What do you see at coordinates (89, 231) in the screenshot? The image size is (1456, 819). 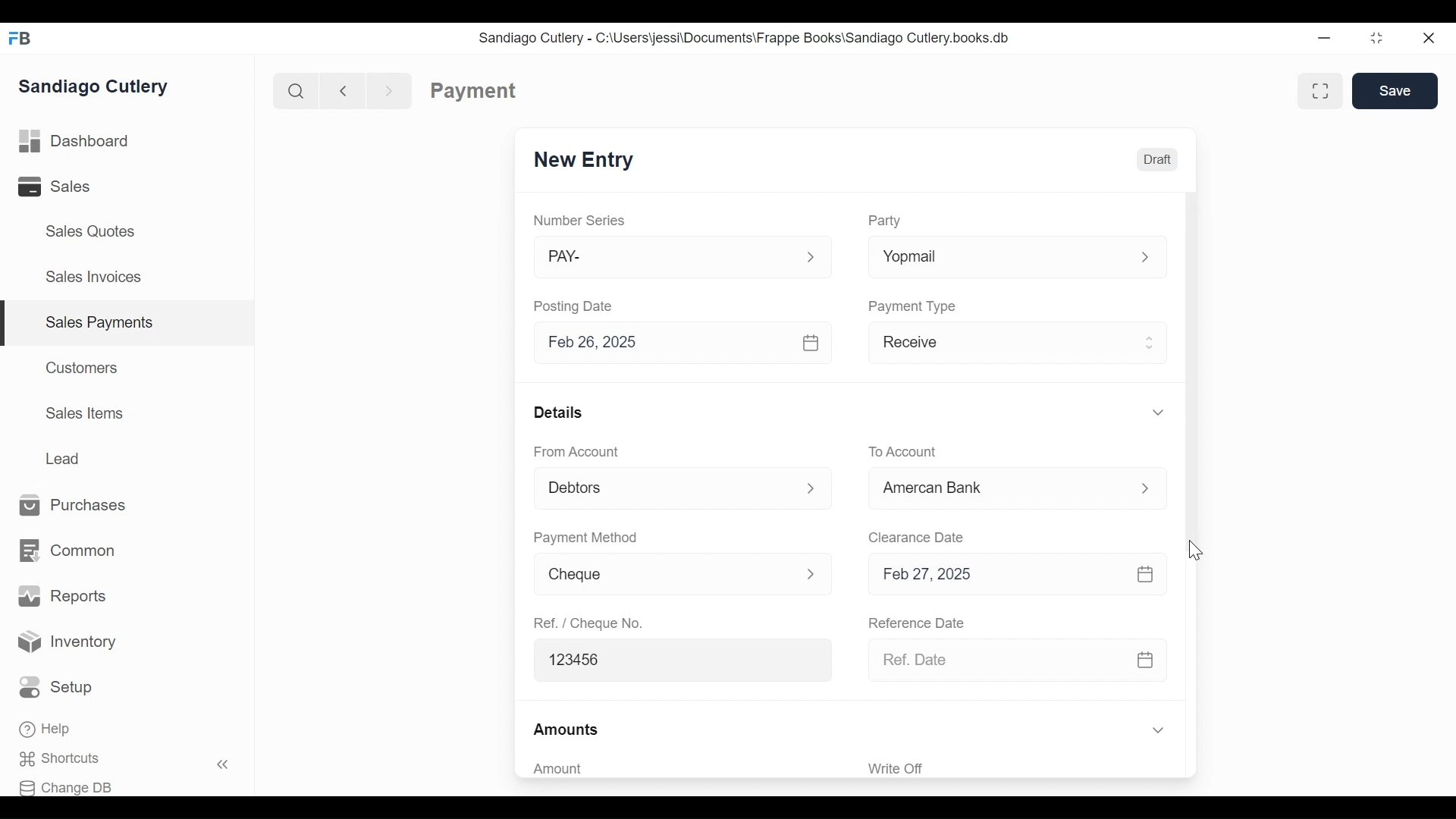 I see `Sales Quotes` at bounding box center [89, 231].